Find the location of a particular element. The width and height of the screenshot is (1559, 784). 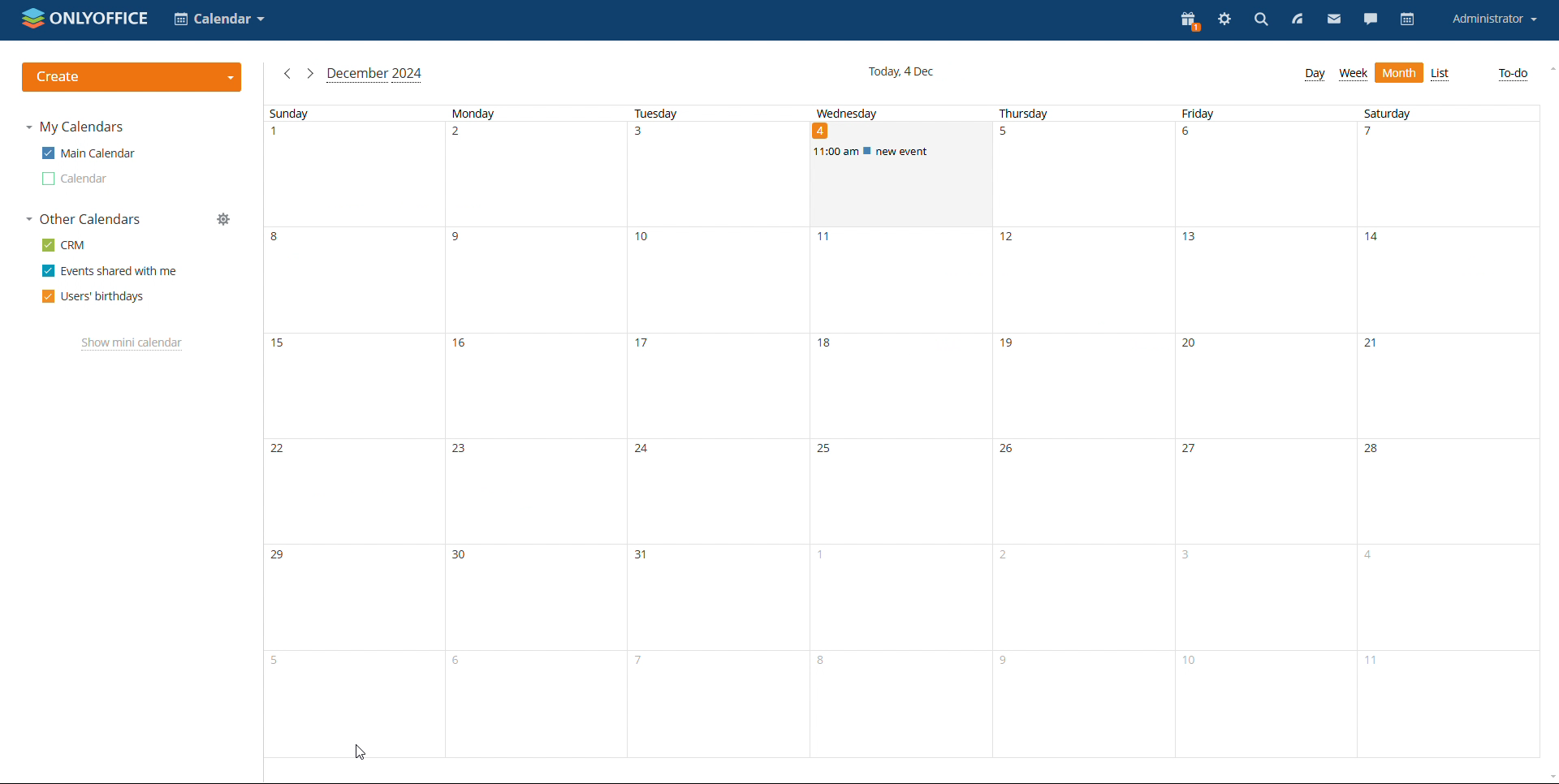

previous month is located at coordinates (286, 74).